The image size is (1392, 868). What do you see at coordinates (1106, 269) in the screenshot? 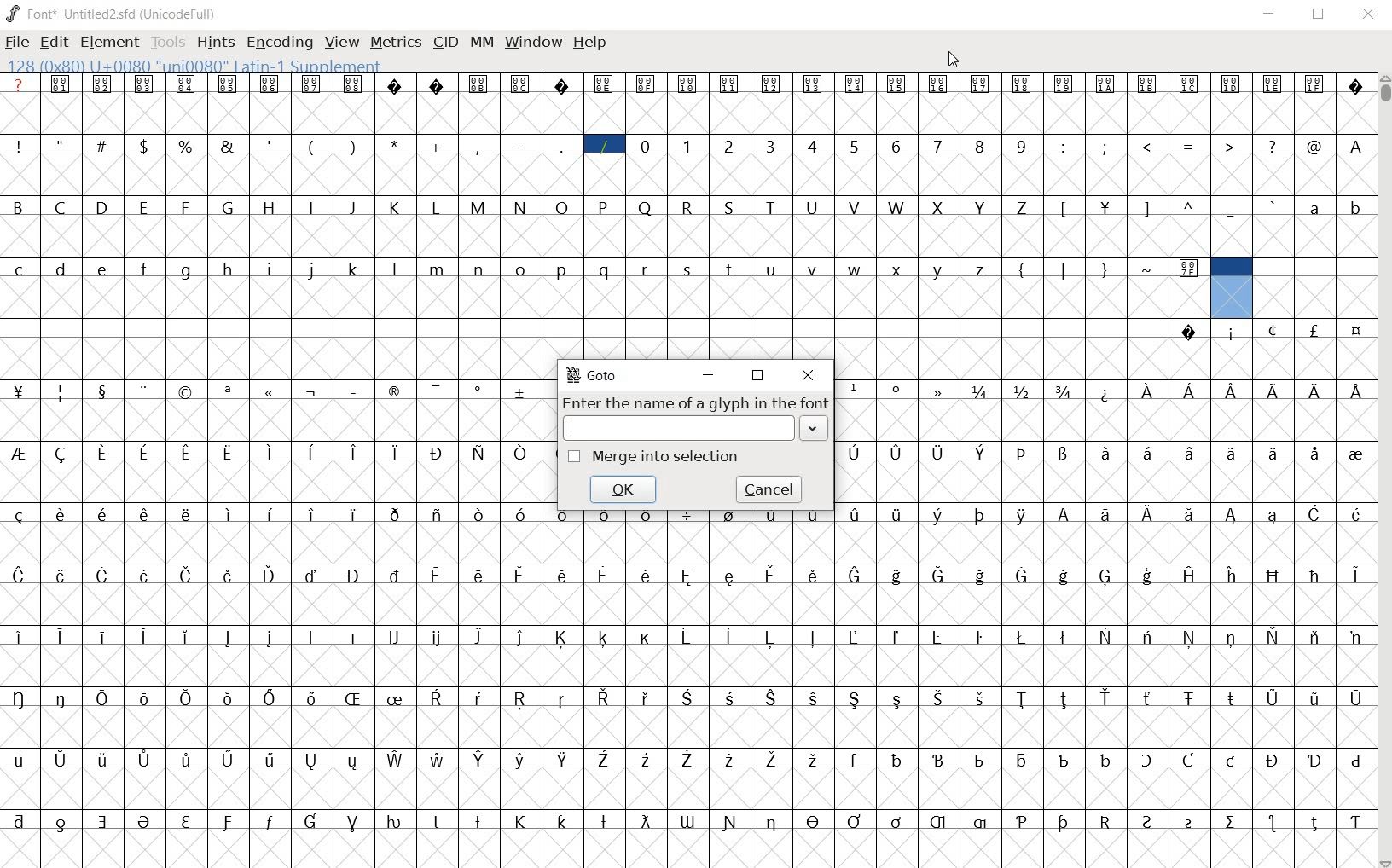
I see `}` at bounding box center [1106, 269].